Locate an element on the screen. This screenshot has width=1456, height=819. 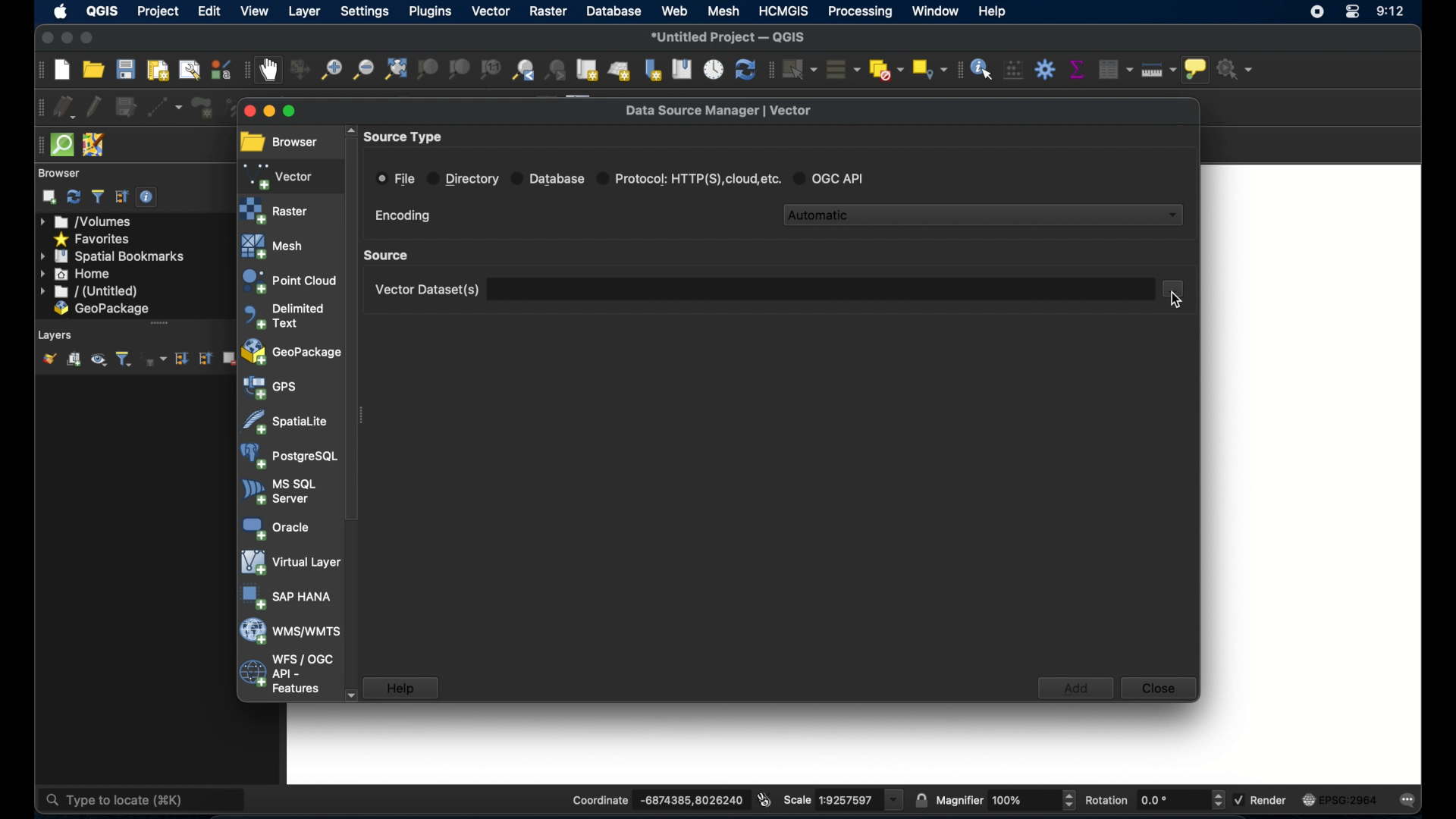
delimited text is located at coordinates (283, 315).